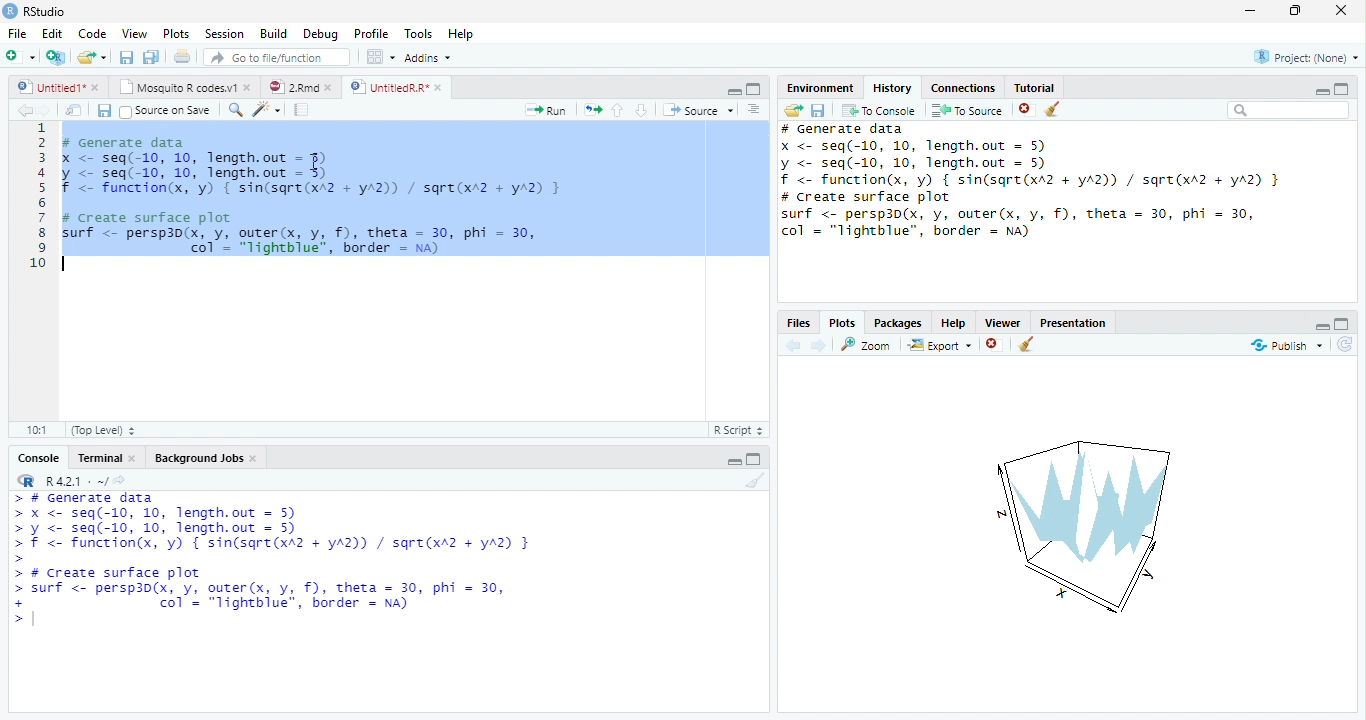 This screenshot has height=720, width=1366. Describe the element at coordinates (315, 162) in the screenshot. I see `cursor` at that location.